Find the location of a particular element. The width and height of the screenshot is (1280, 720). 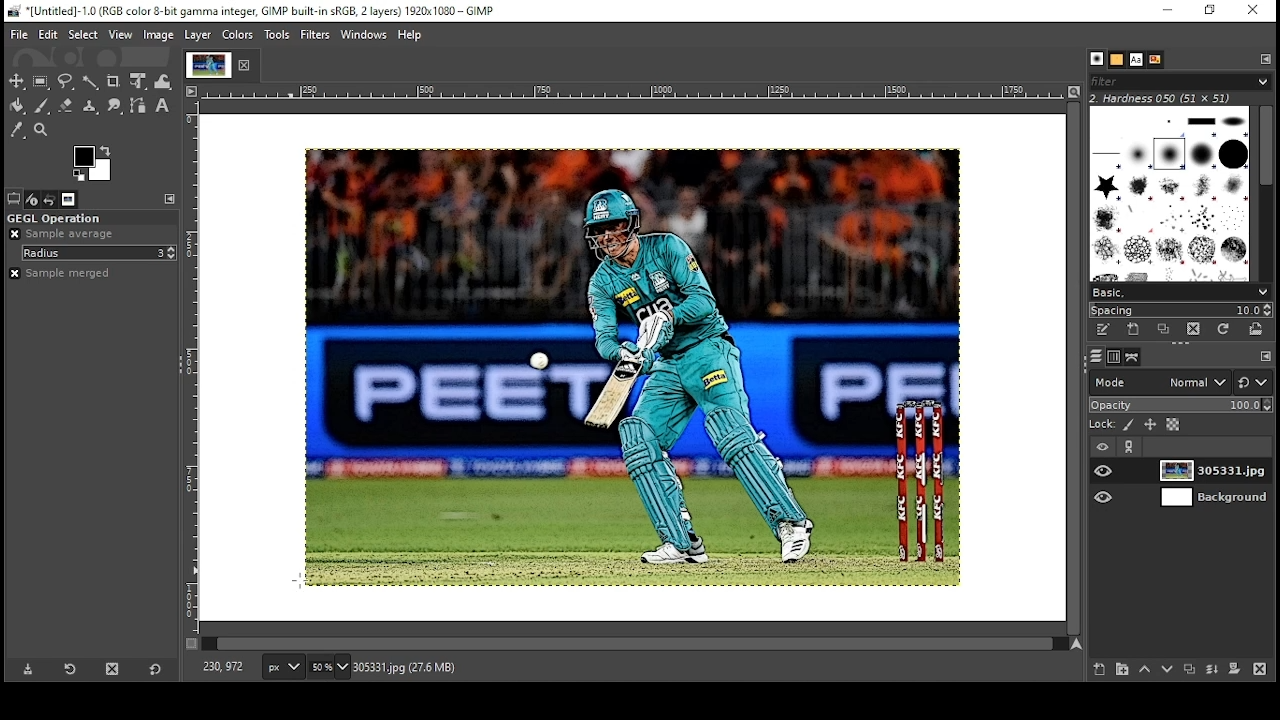

images is located at coordinates (69, 200).